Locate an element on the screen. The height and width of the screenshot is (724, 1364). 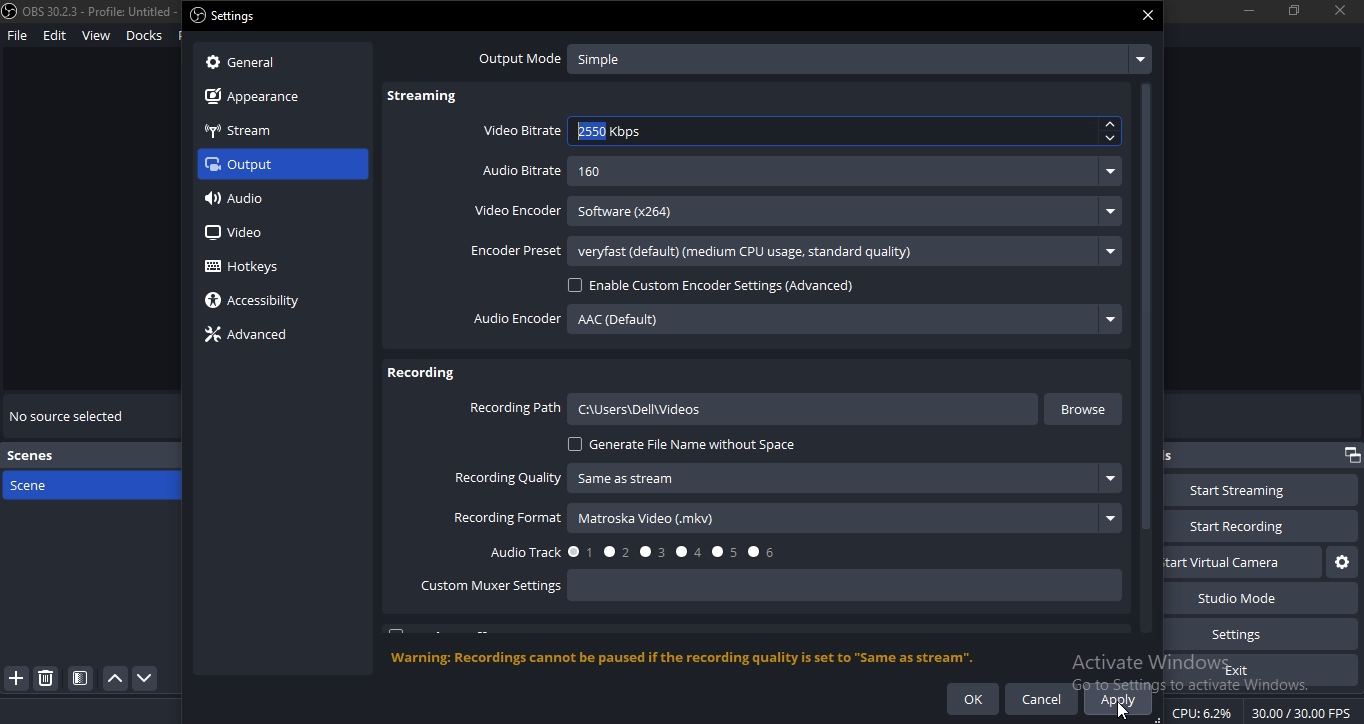
add scene is located at coordinates (17, 679).